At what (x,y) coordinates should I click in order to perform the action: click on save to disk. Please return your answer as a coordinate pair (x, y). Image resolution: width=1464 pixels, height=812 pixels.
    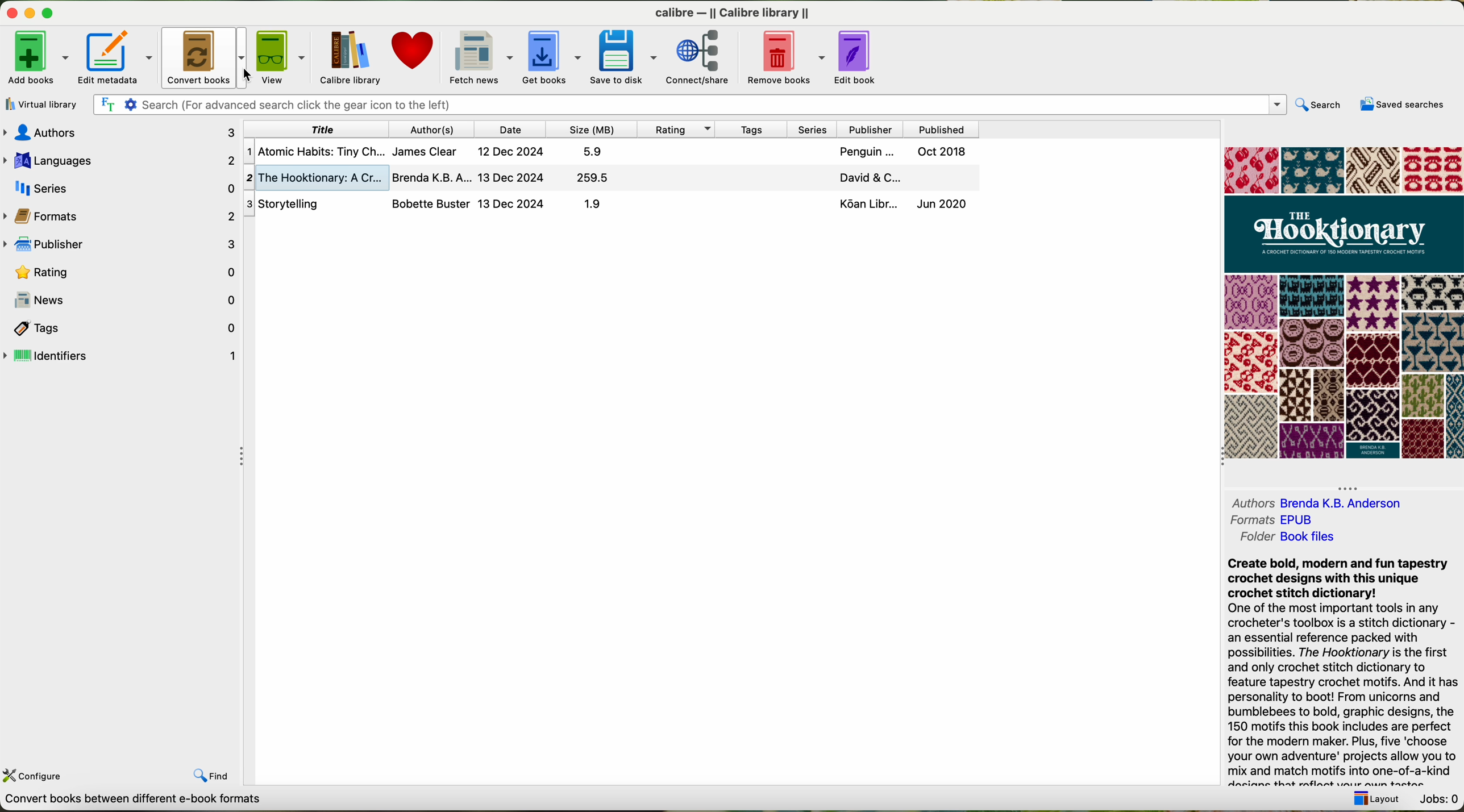
    Looking at the image, I should click on (623, 57).